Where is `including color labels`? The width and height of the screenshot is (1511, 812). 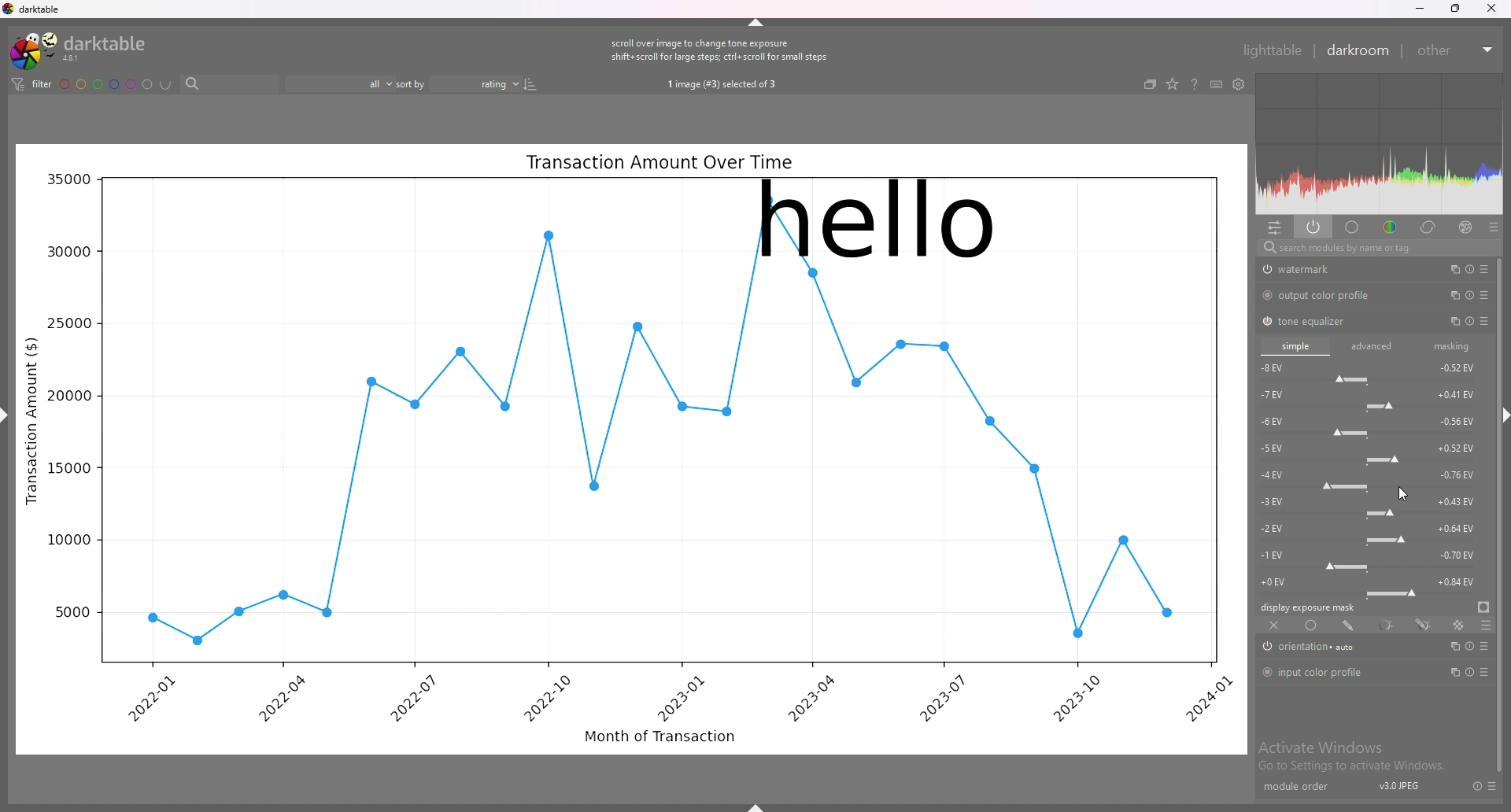 including color labels is located at coordinates (166, 85).